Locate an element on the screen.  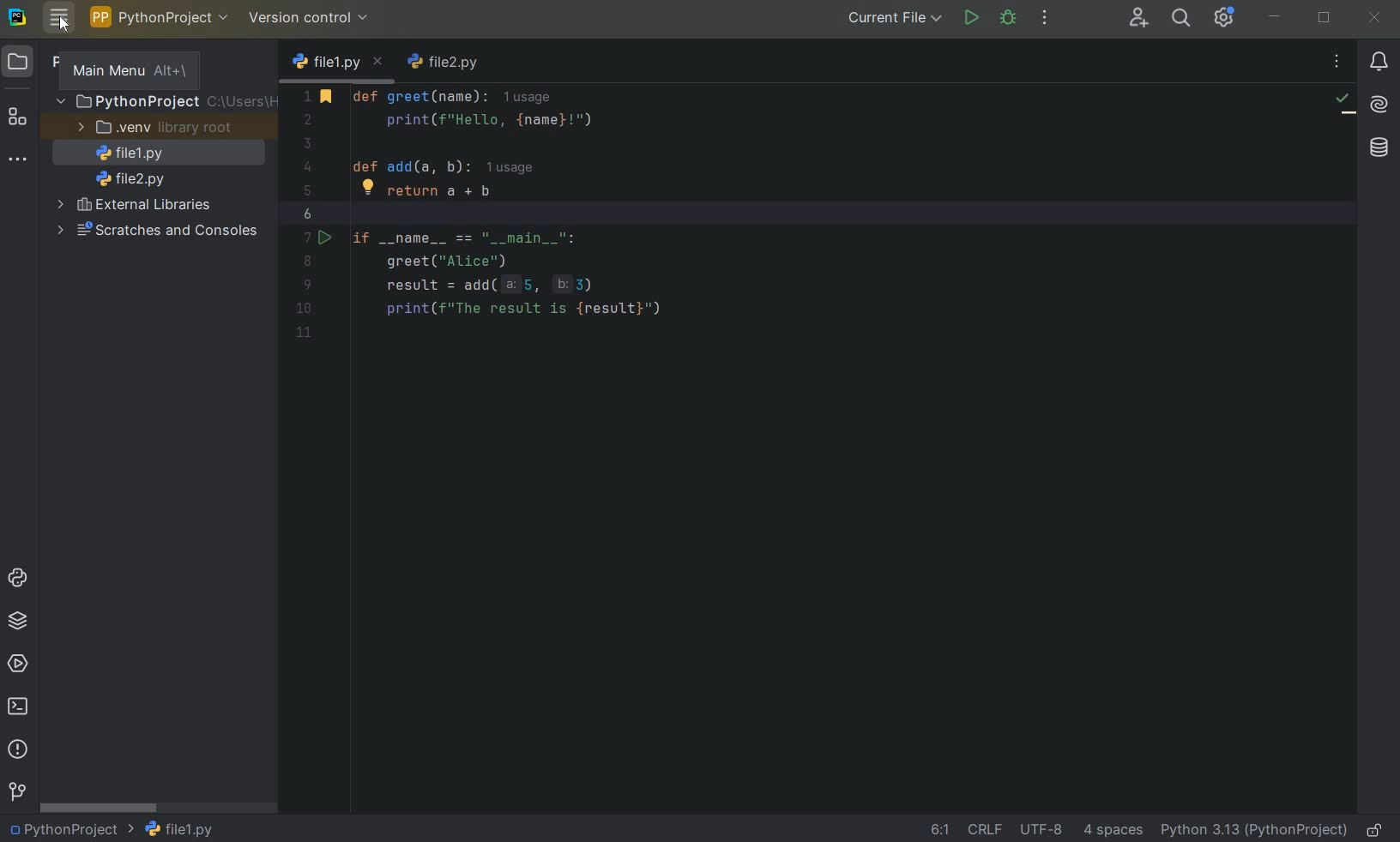
no problems is located at coordinates (1344, 103).